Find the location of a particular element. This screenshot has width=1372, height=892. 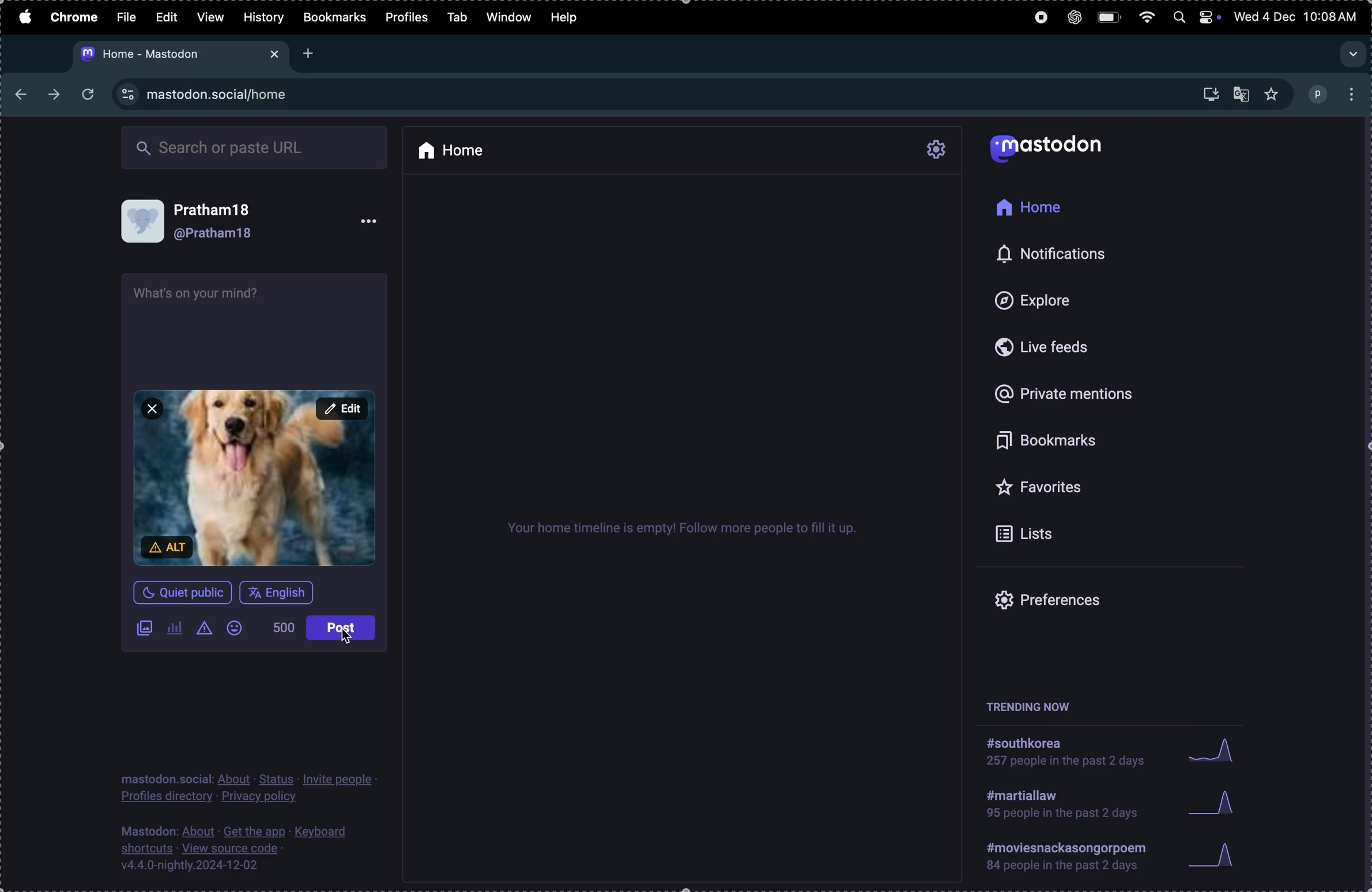

Favorites is located at coordinates (1041, 488).